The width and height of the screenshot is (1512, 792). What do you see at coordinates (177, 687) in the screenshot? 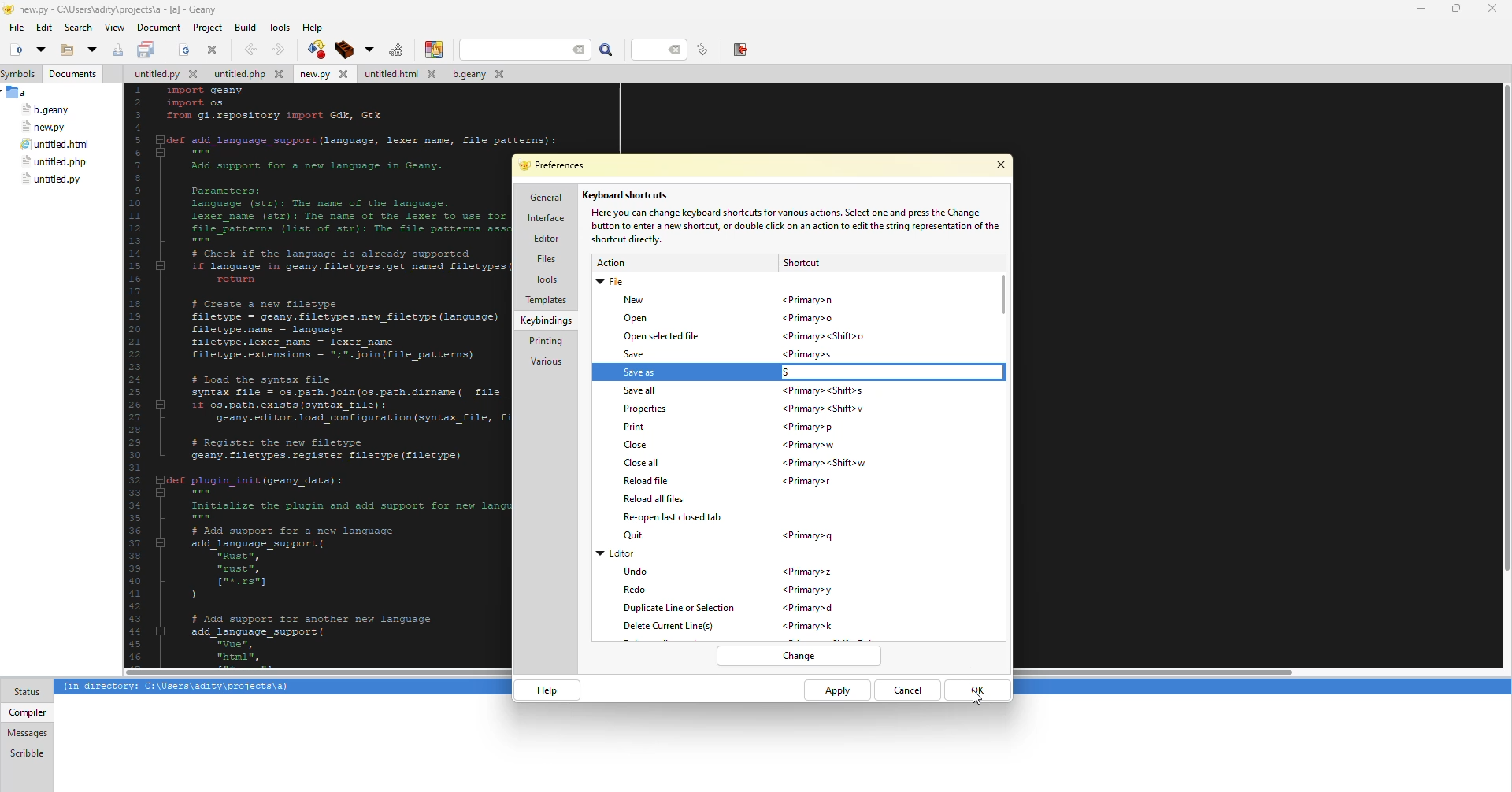
I see `info` at bounding box center [177, 687].